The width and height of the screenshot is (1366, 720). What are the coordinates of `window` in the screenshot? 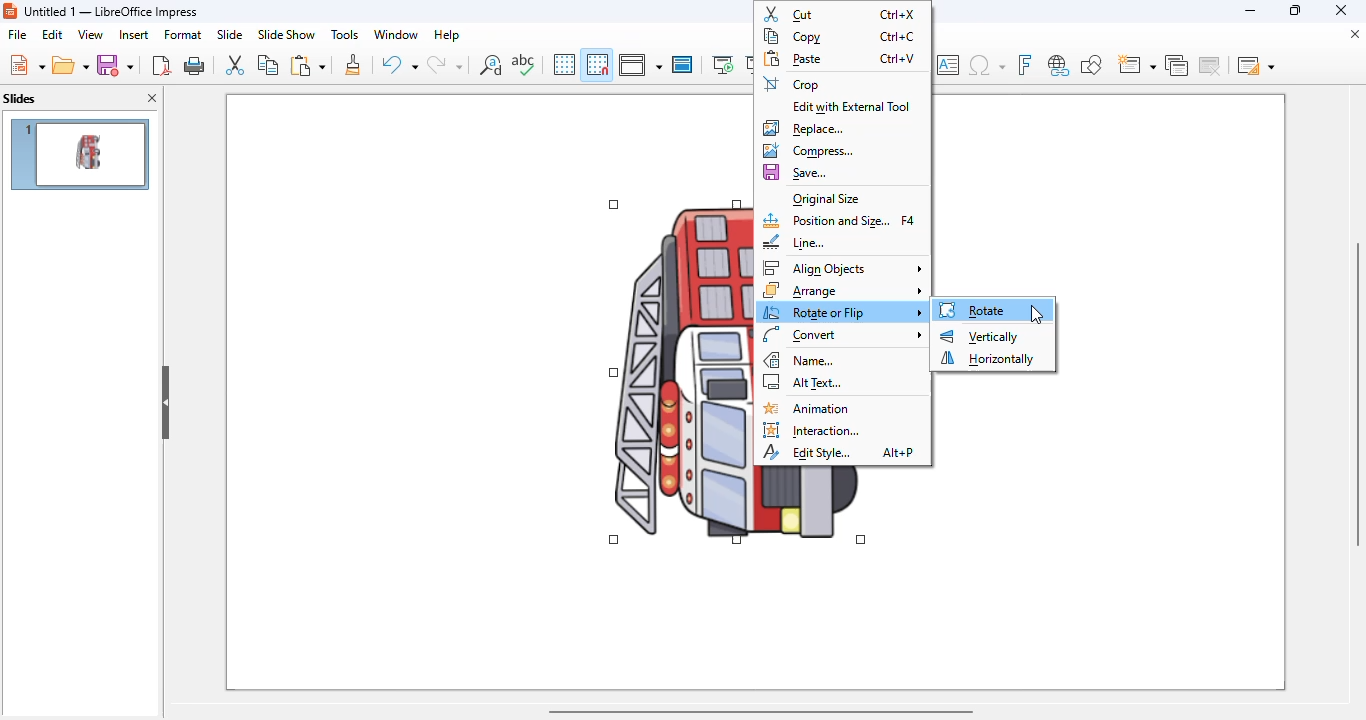 It's located at (397, 34).